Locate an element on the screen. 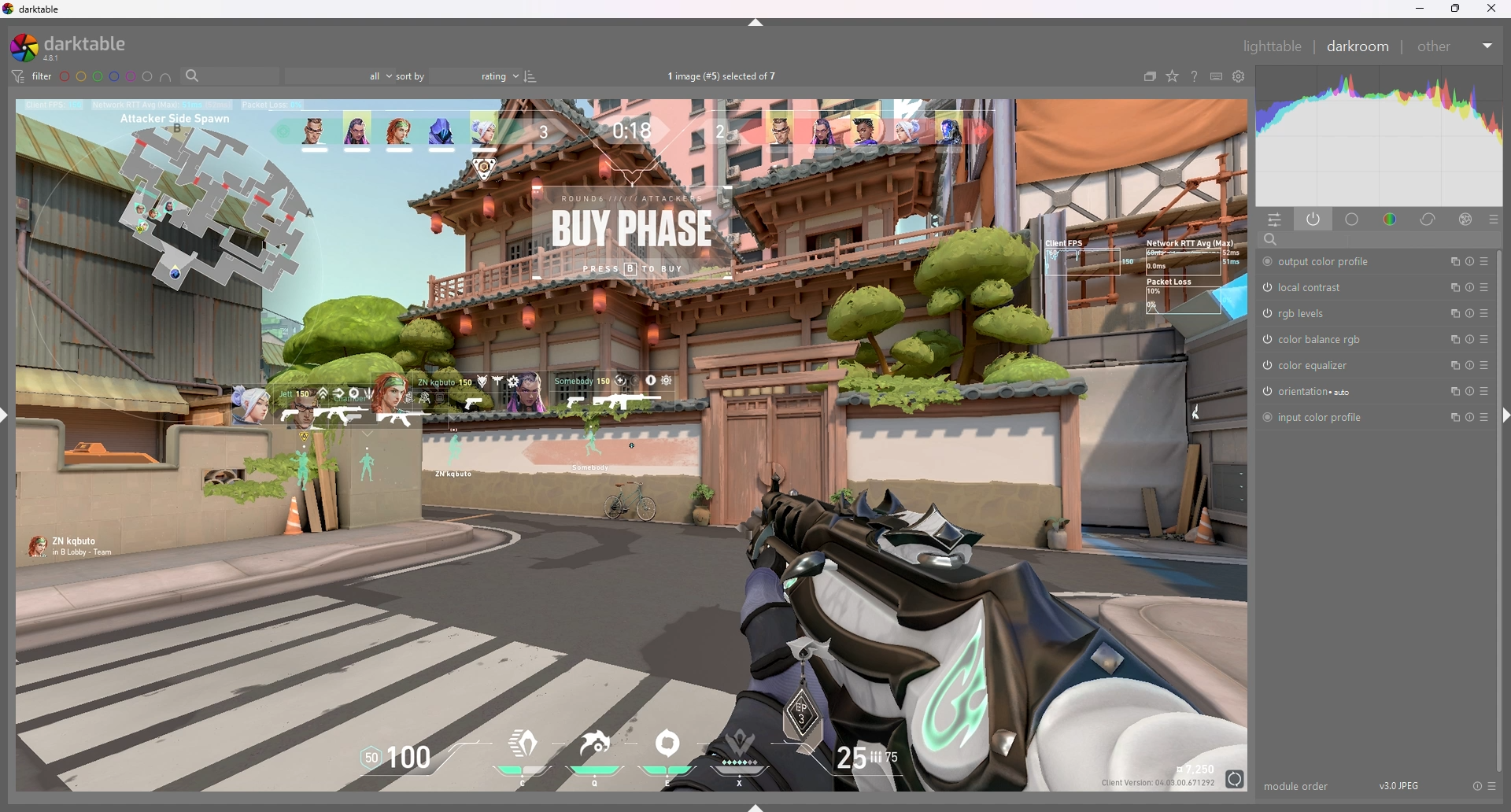 The width and height of the screenshot is (1511, 812). heat graph is located at coordinates (1380, 136).